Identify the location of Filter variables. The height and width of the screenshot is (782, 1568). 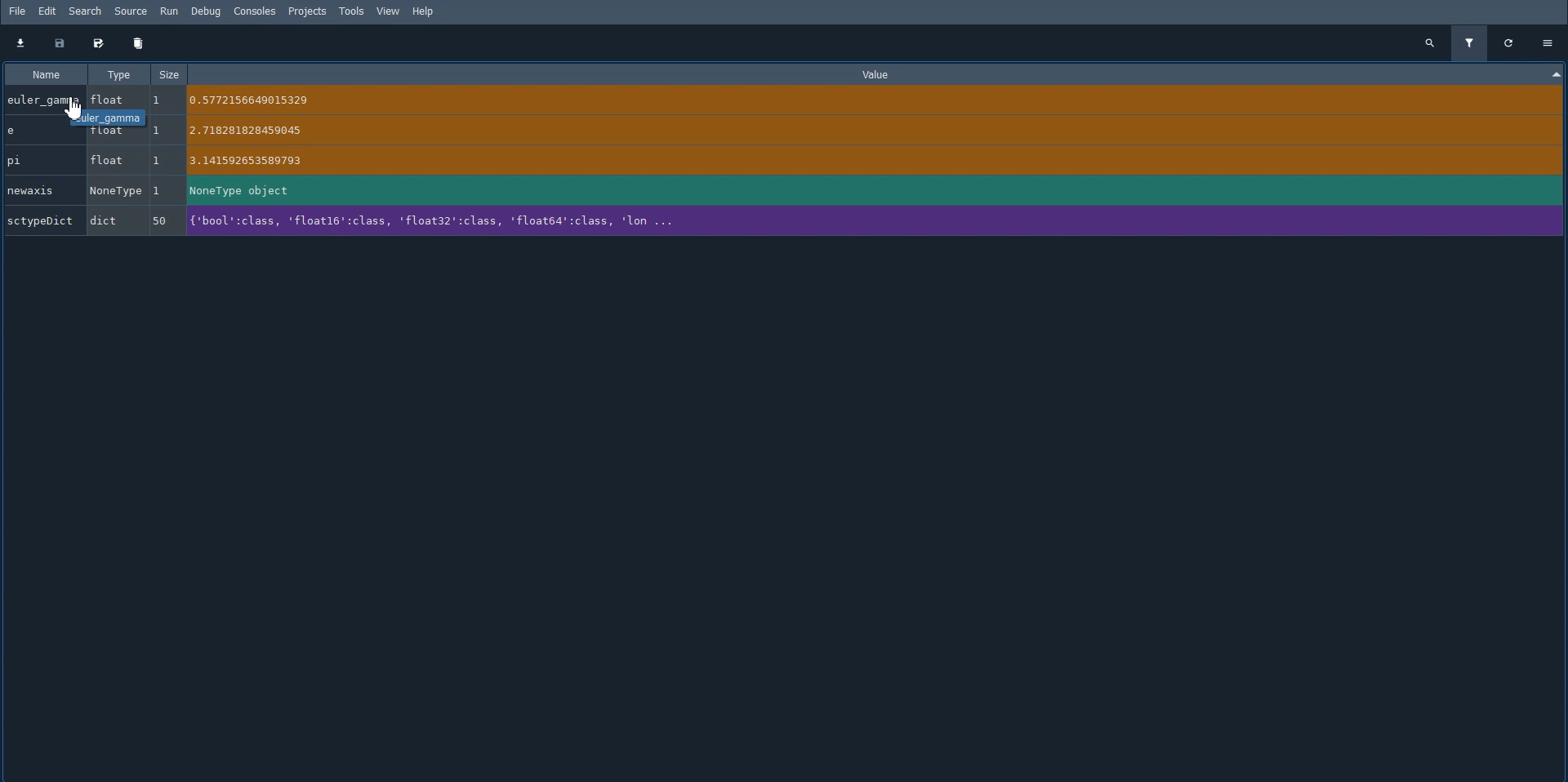
(1472, 42).